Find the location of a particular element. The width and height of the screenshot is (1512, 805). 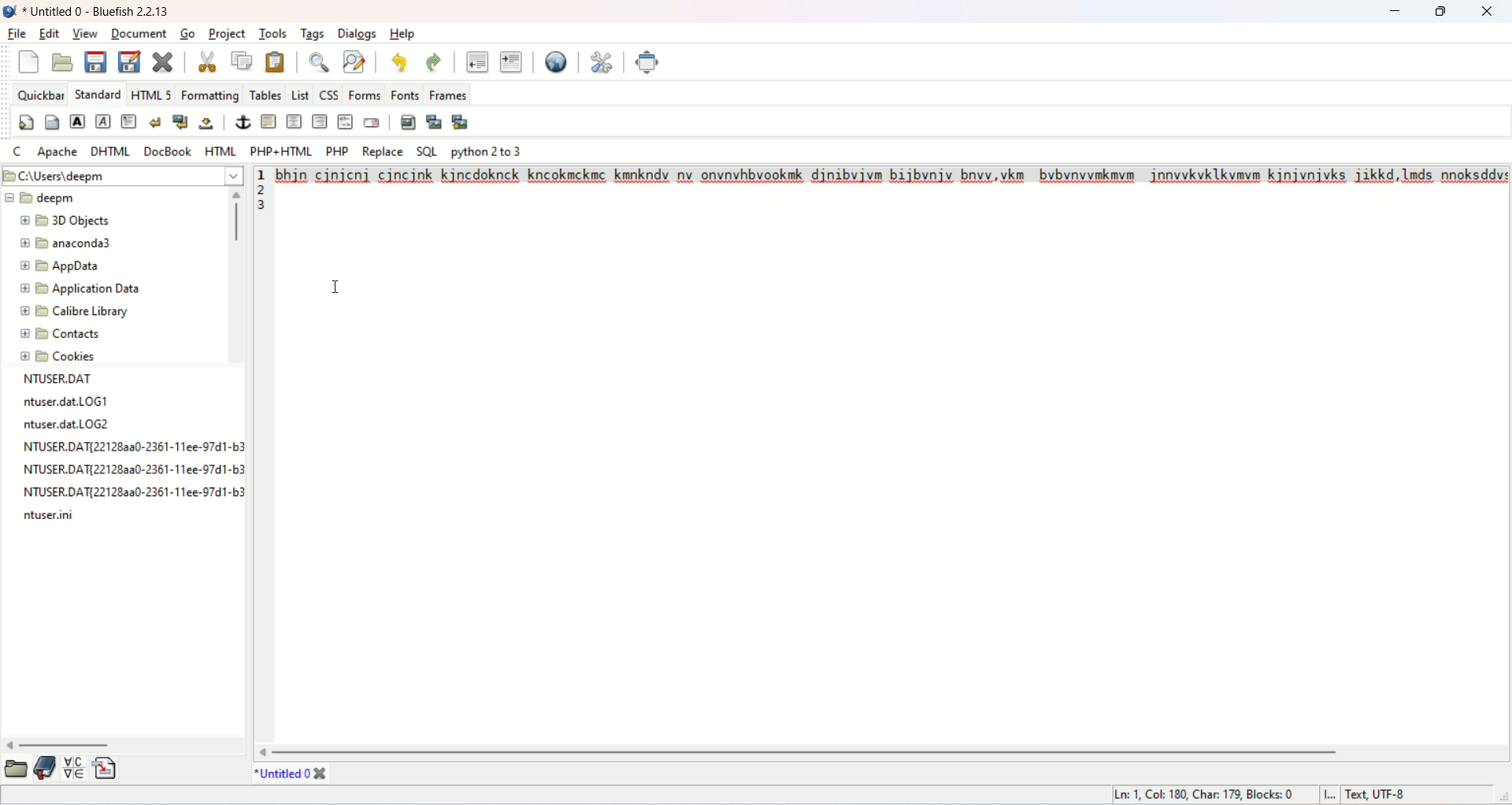

project is located at coordinates (228, 33).